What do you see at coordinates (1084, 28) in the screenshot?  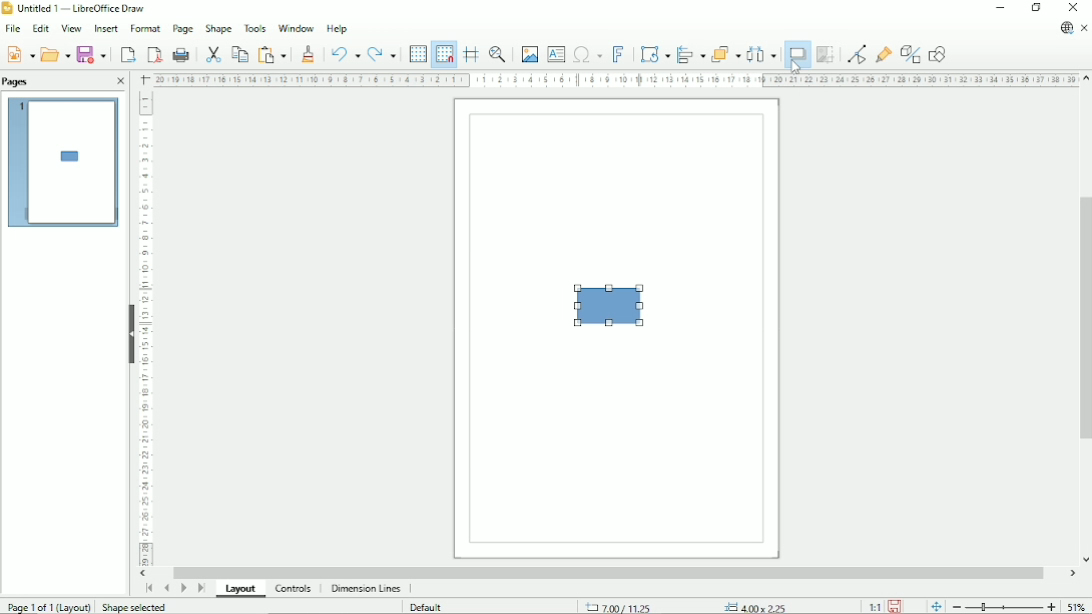 I see `Close document` at bounding box center [1084, 28].